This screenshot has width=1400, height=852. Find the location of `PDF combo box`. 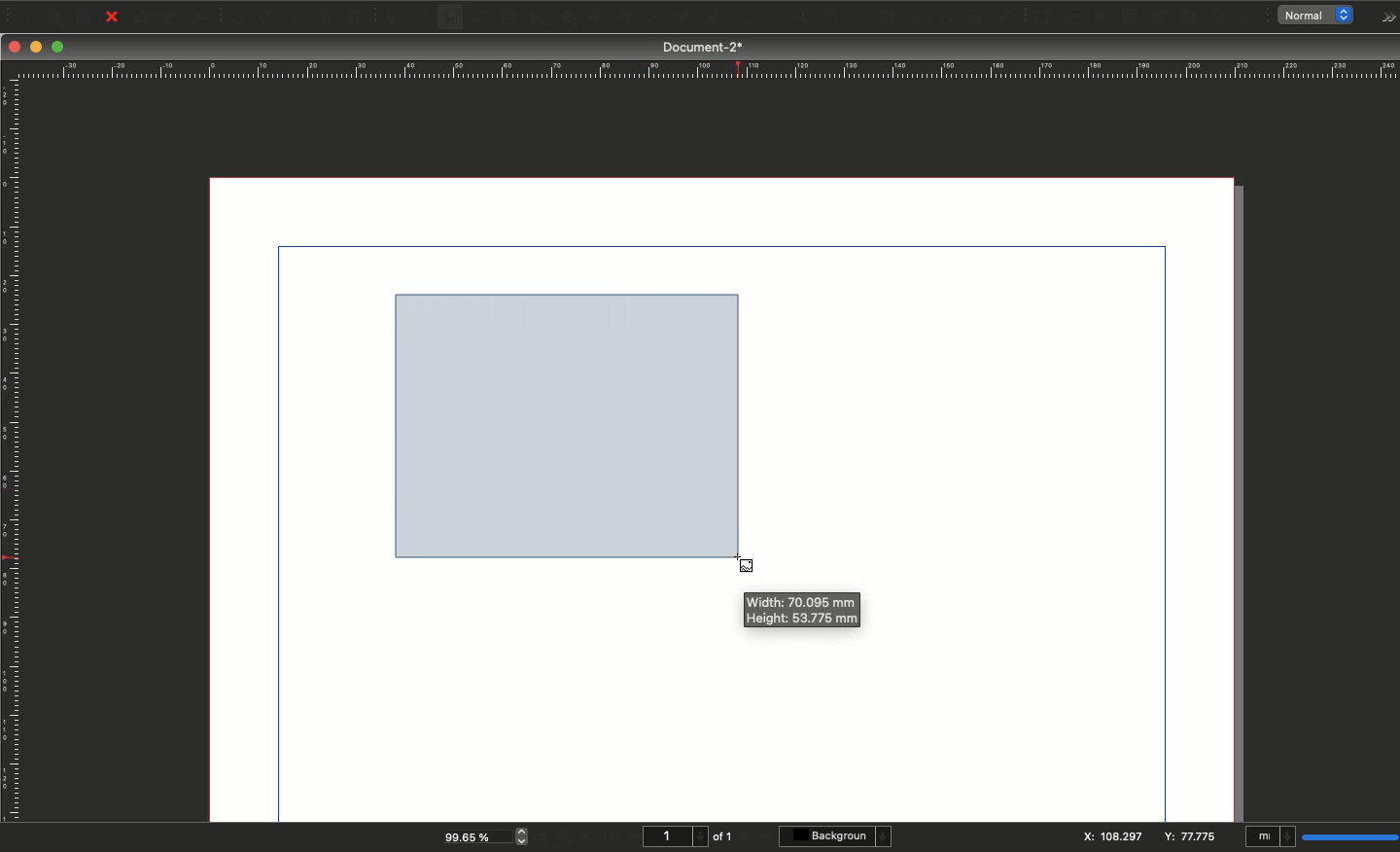

PDF combo box is located at coordinates (1157, 18).